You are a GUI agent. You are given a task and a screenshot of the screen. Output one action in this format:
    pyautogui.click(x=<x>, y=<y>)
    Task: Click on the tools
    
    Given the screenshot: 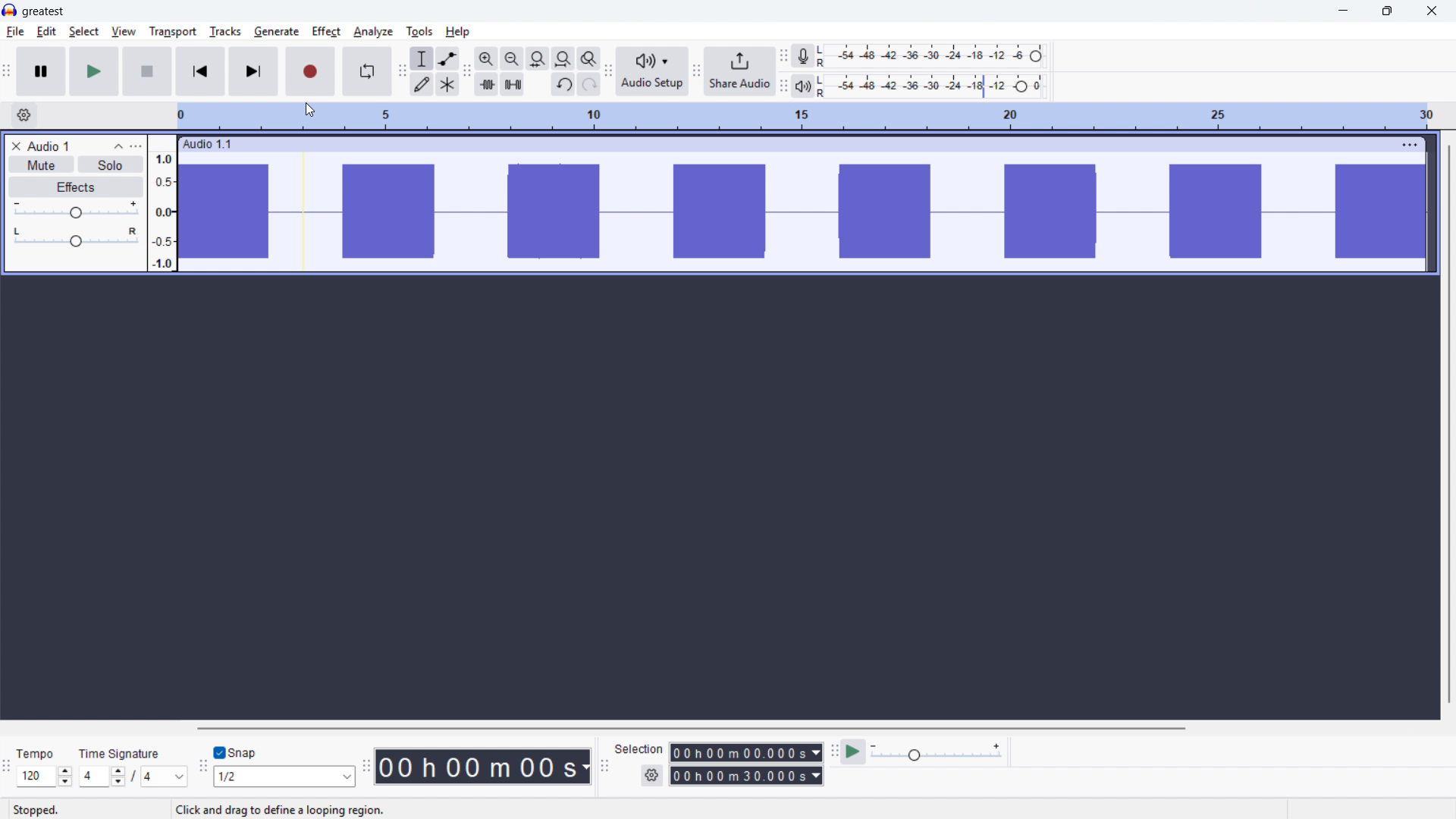 What is the action you would take?
    pyautogui.click(x=419, y=33)
    